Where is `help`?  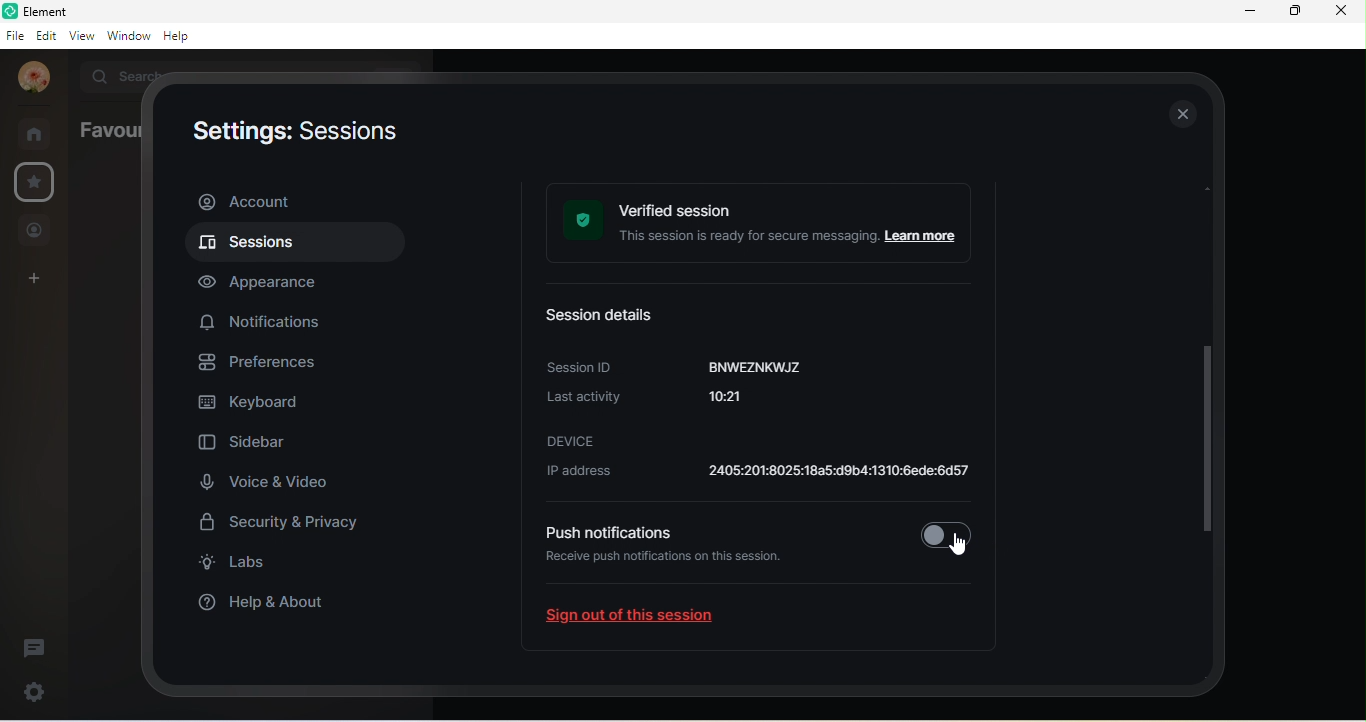
help is located at coordinates (181, 37).